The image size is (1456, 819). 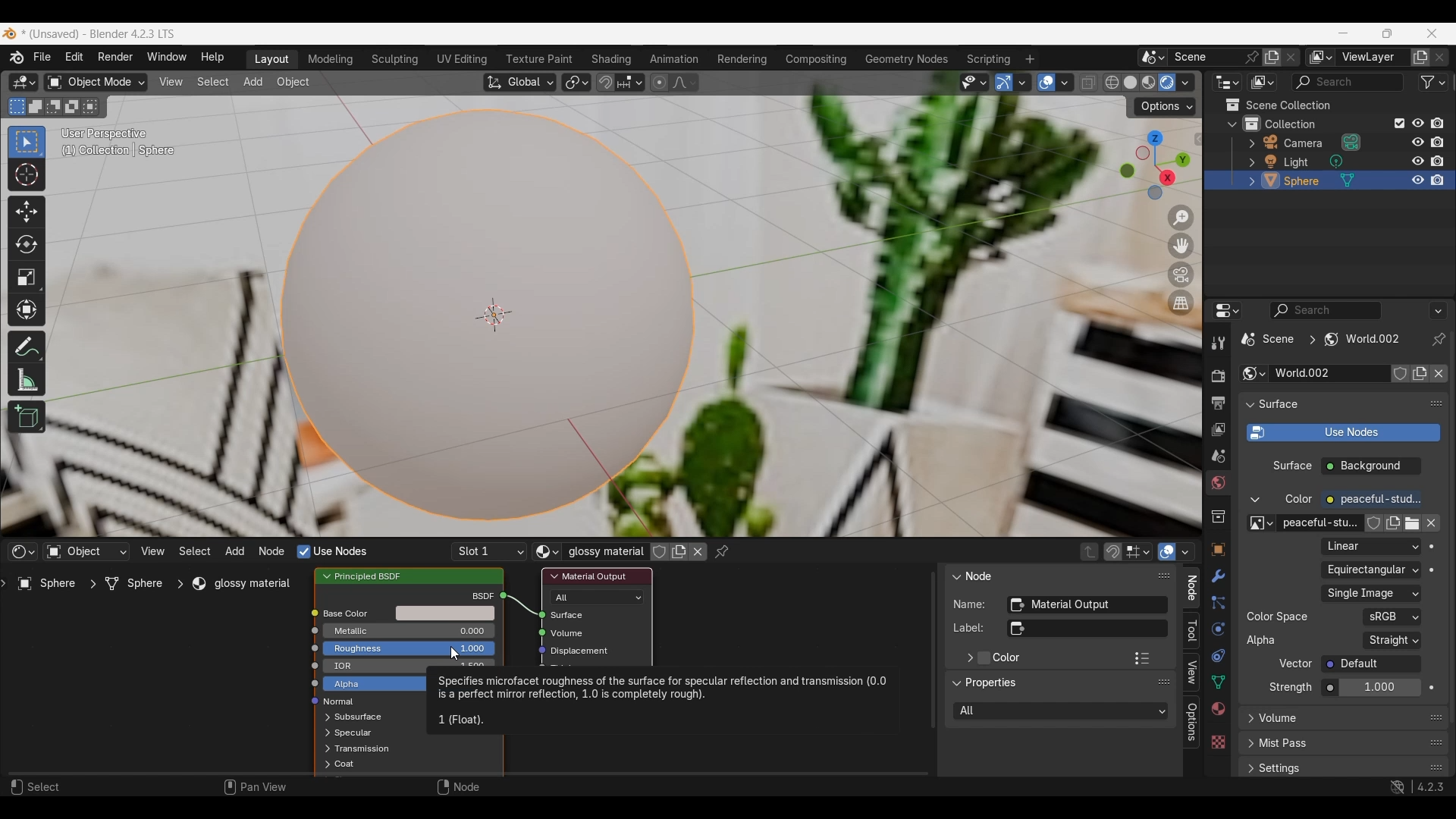 I want to click on 4.2.3, so click(x=1431, y=786).